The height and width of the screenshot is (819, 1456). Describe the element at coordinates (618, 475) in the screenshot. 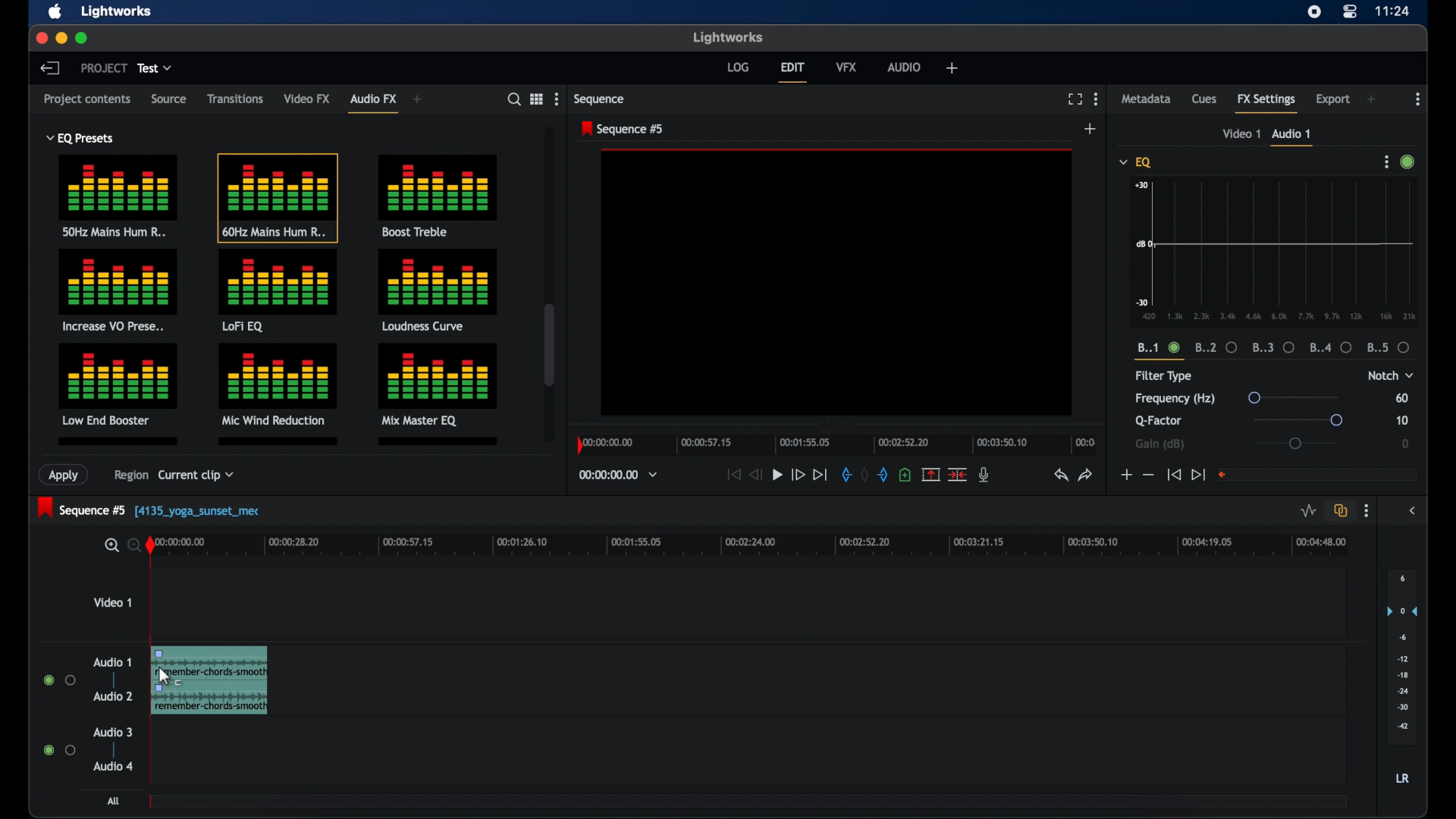

I see `timecodes and reels` at that location.